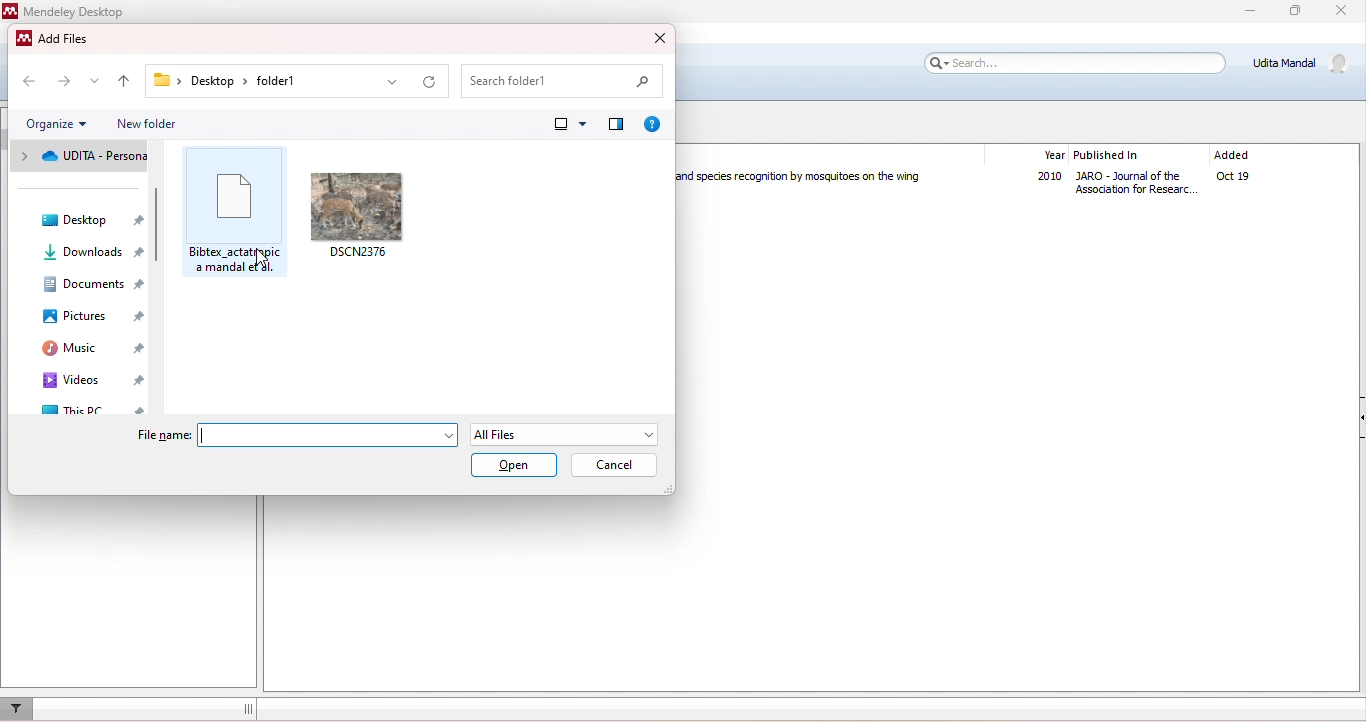 This screenshot has width=1366, height=722. I want to click on this pc, so click(95, 408).